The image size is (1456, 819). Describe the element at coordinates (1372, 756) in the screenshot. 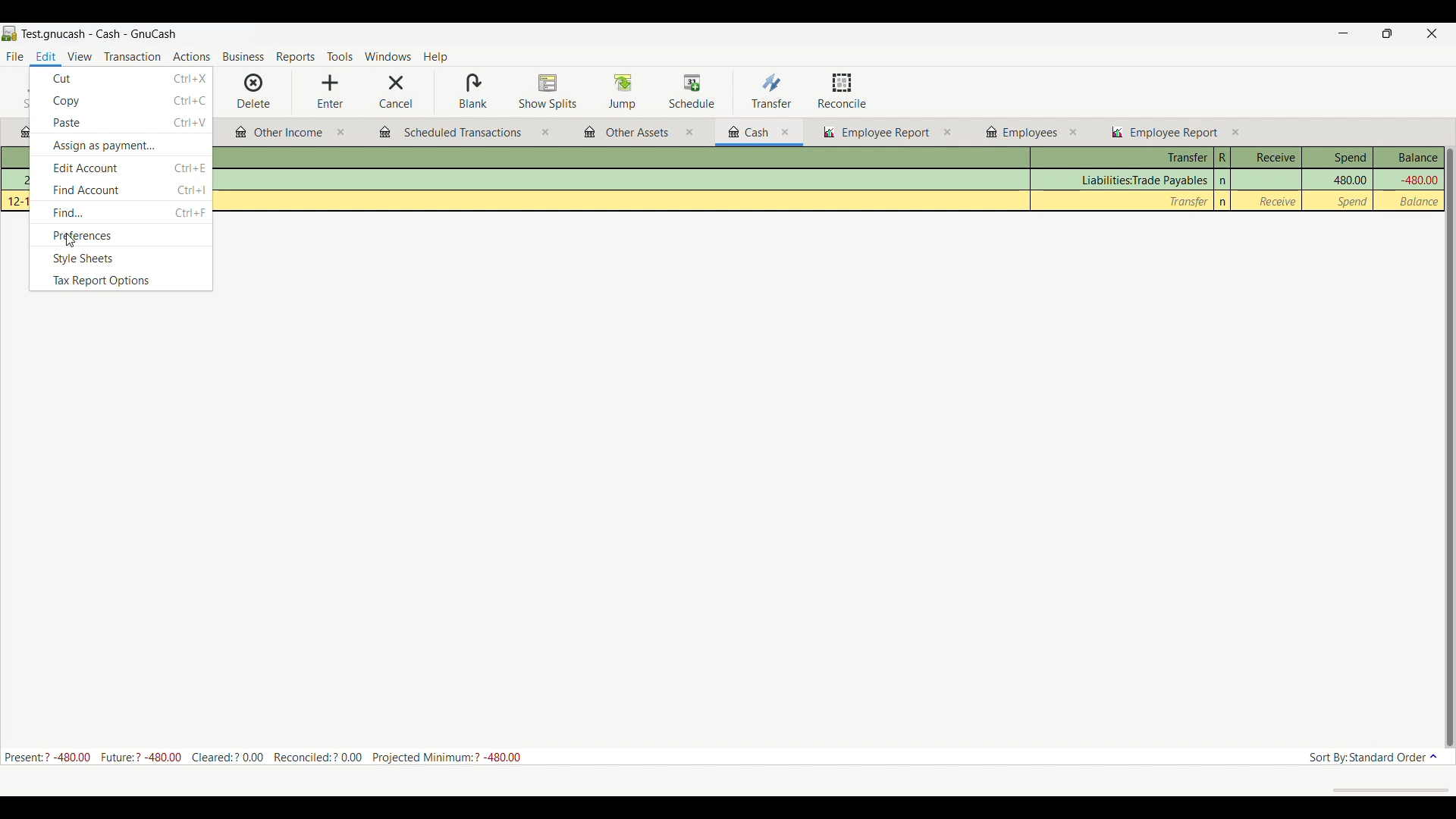

I see `Current sort order` at that location.